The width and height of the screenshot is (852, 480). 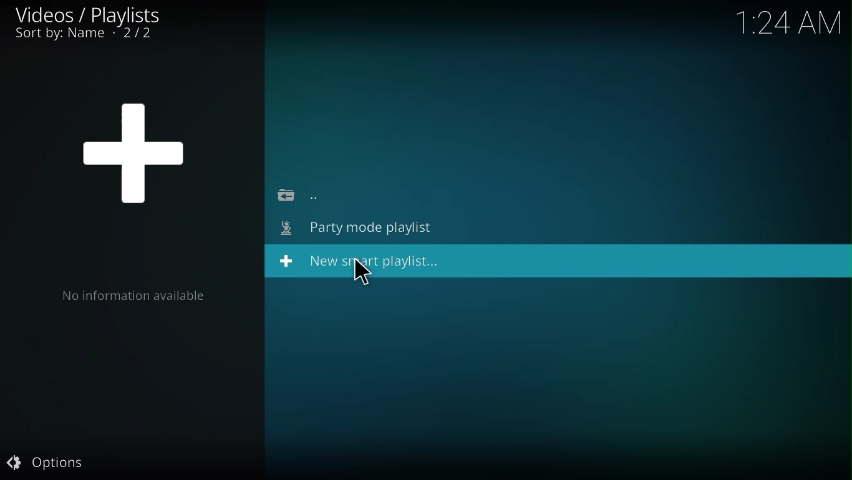 I want to click on videos, so click(x=92, y=14).